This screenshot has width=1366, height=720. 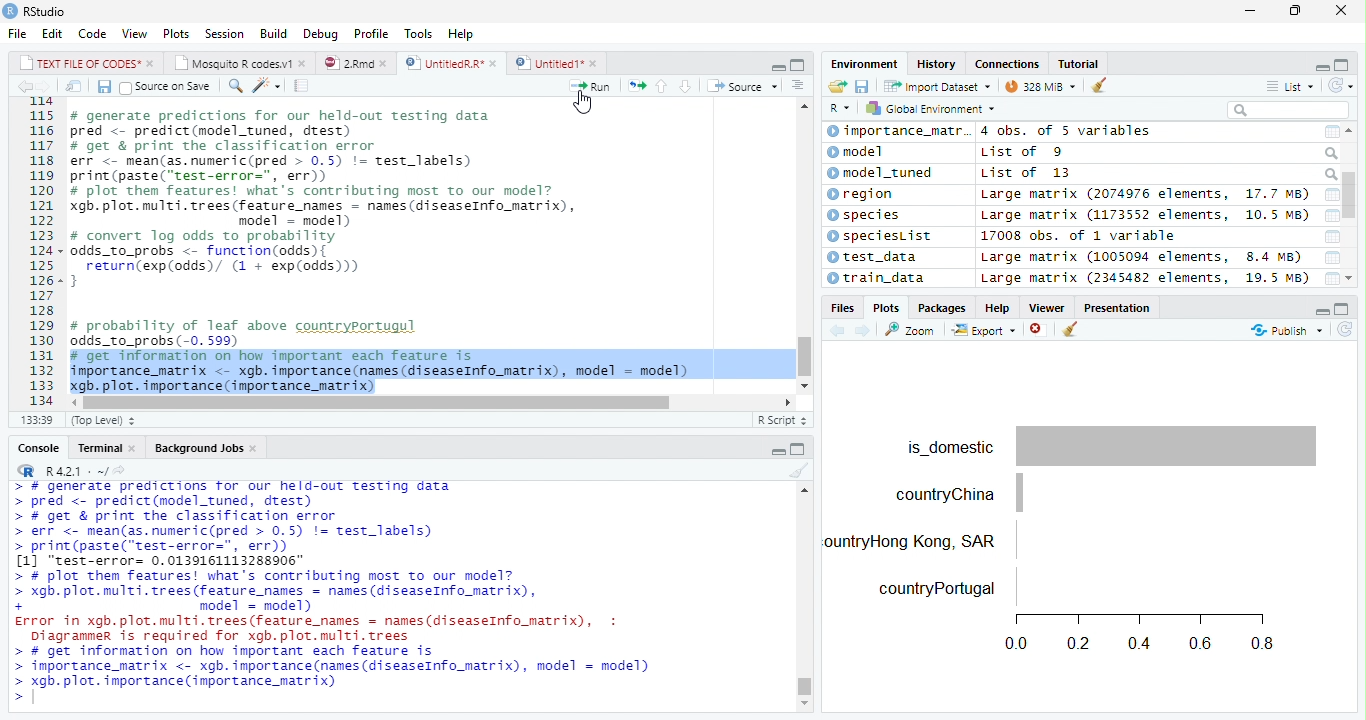 What do you see at coordinates (583, 102) in the screenshot?
I see `Cursor` at bounding box center [583, 102].